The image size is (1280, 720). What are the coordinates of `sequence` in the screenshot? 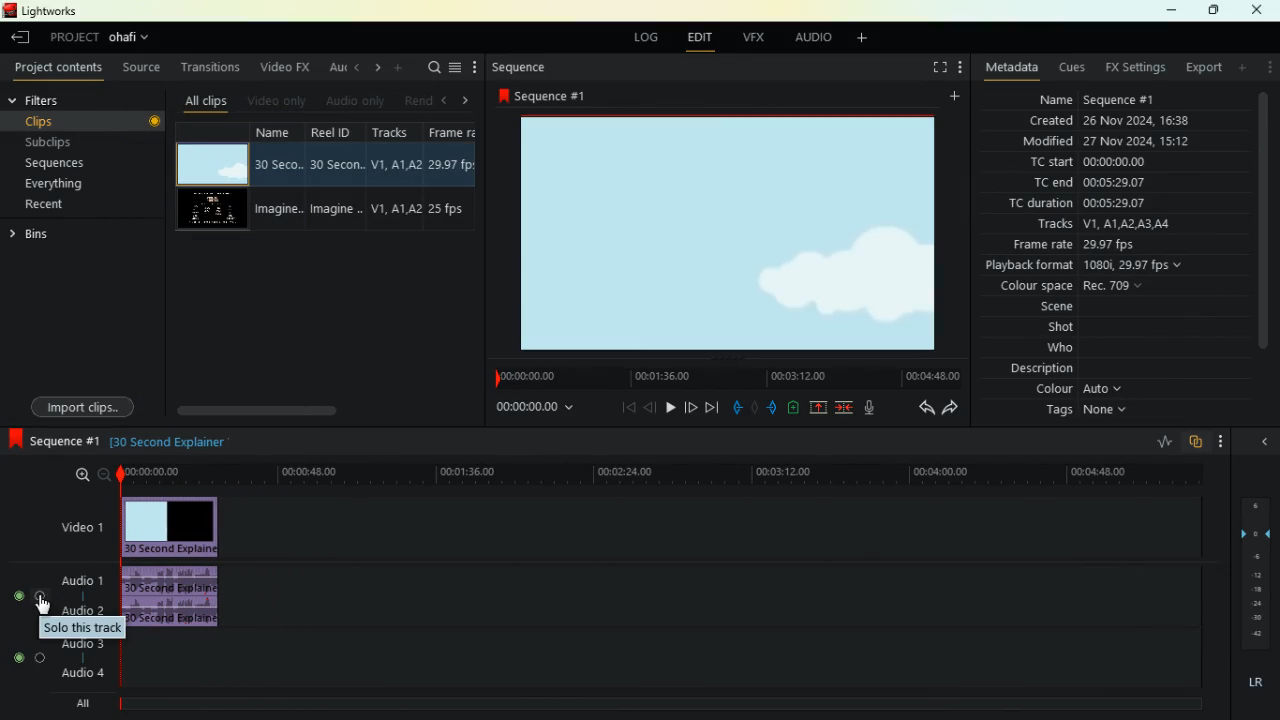 It's located at (525, 63).